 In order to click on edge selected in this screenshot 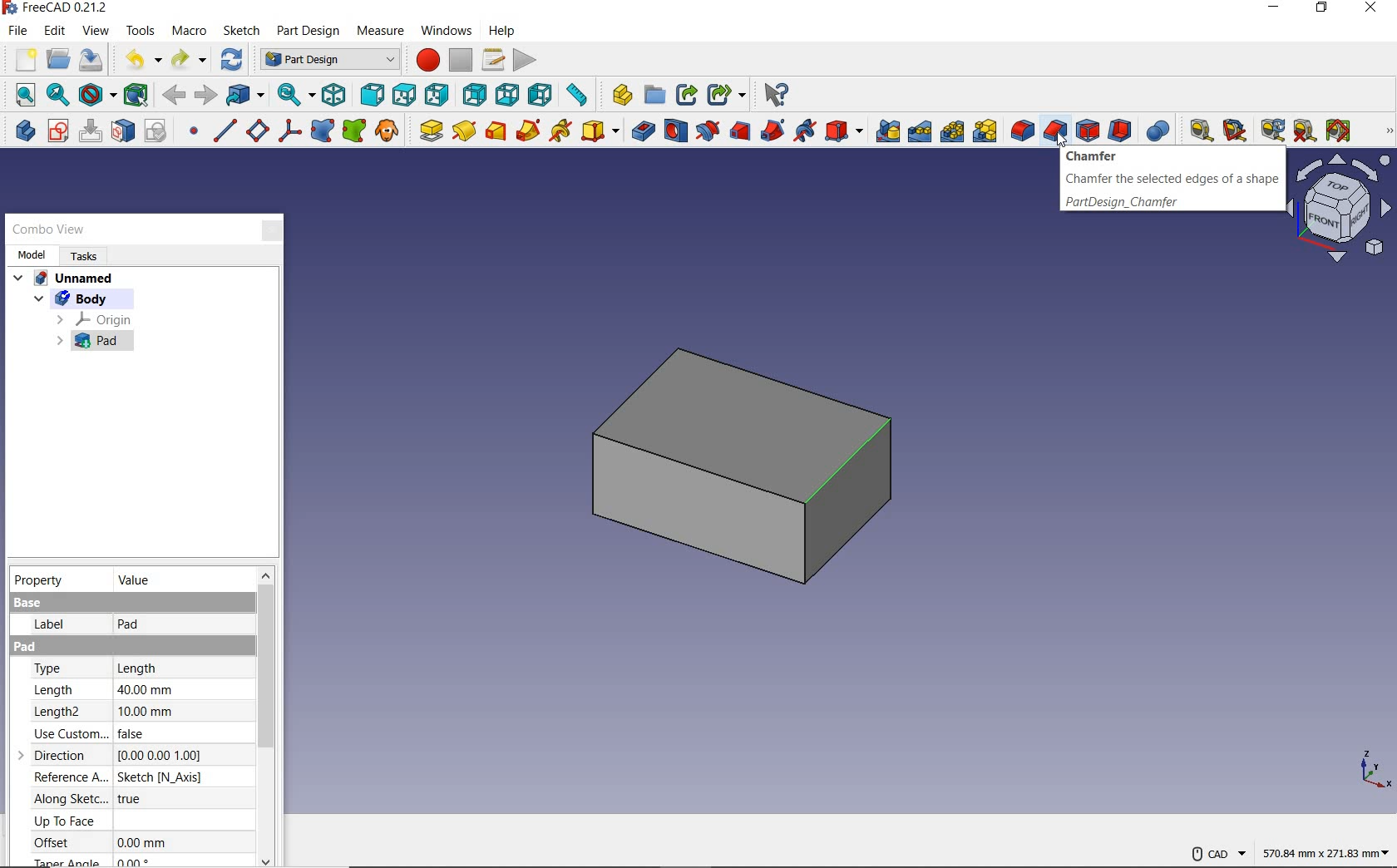, I will do `click(850, 462)`.